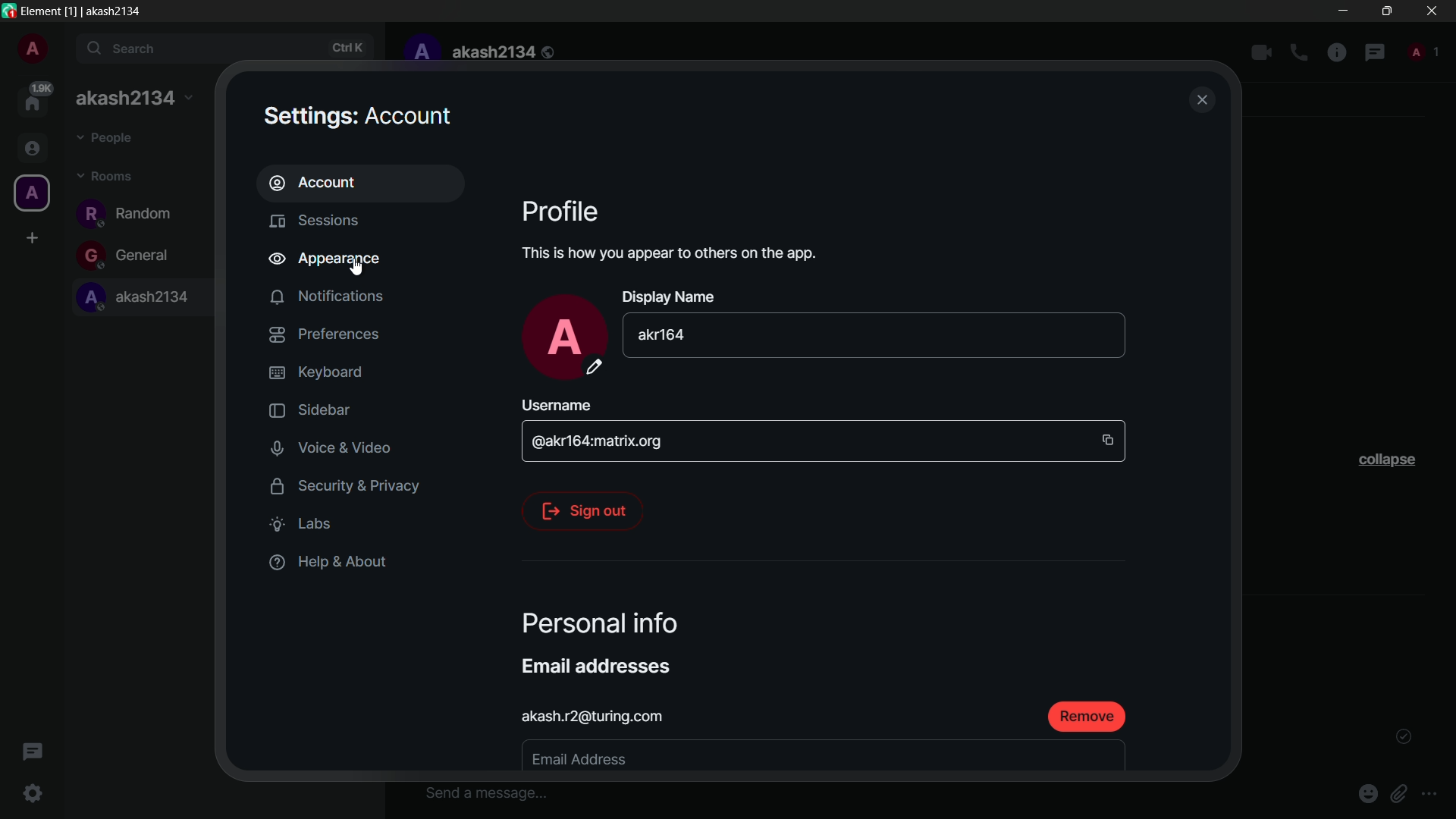  I want to click on notifications, so click(328, 297).